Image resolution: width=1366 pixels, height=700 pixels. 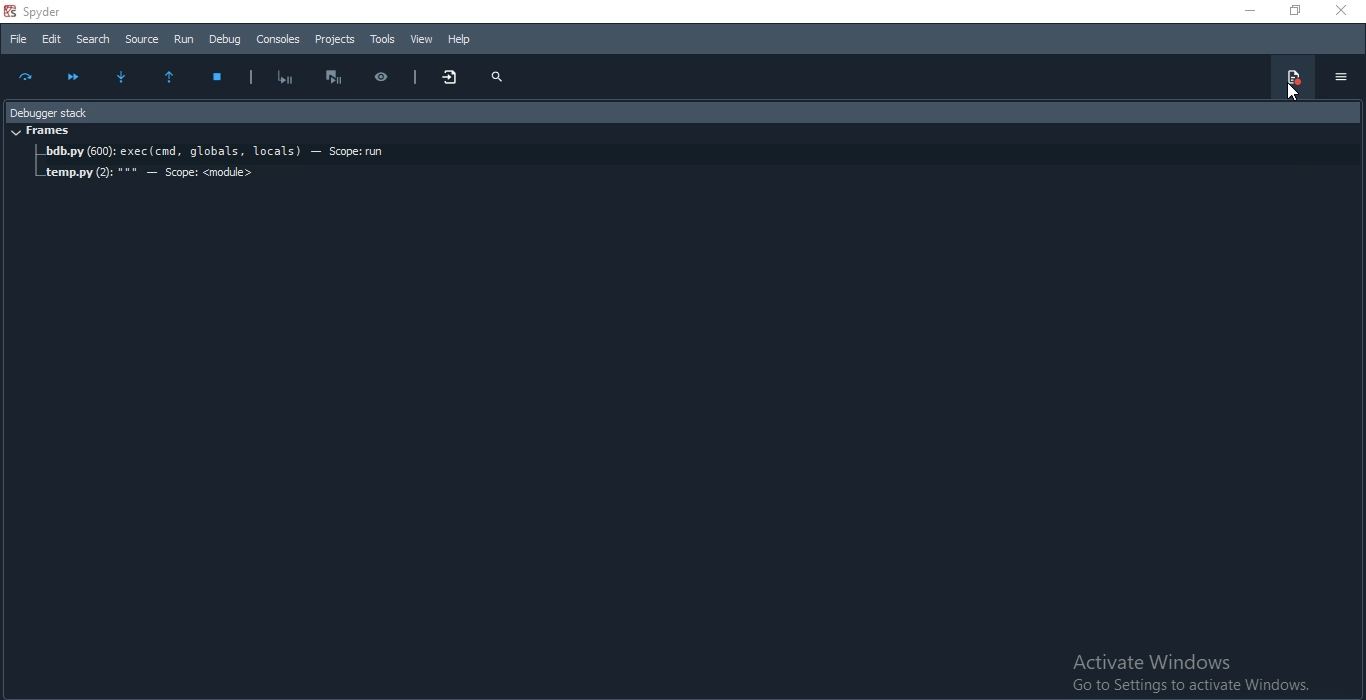 What do you see at coordinates (150, 174) in the screenshot?
I see `temp.py (2): *"* — Scope: <module>` at bounding box center [150, 174].